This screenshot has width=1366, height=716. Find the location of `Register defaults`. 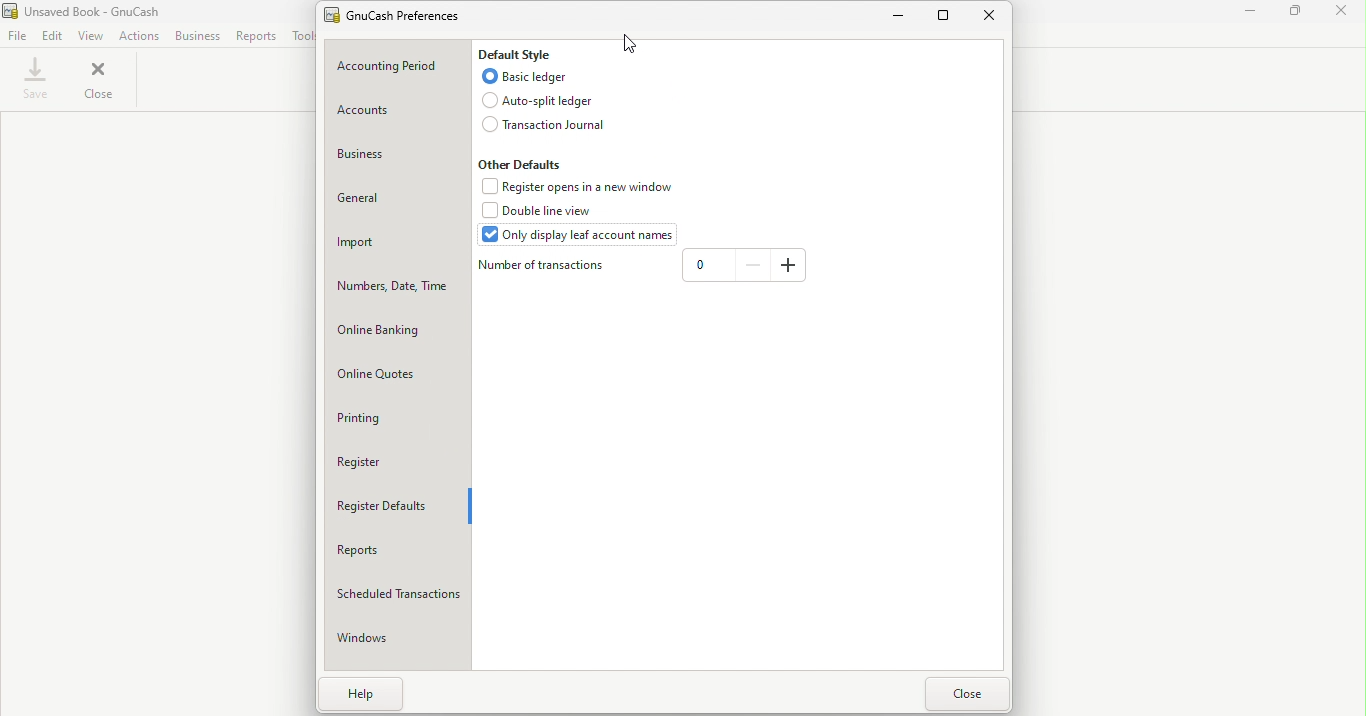

Register defaults is located at coordinates (395, 503).